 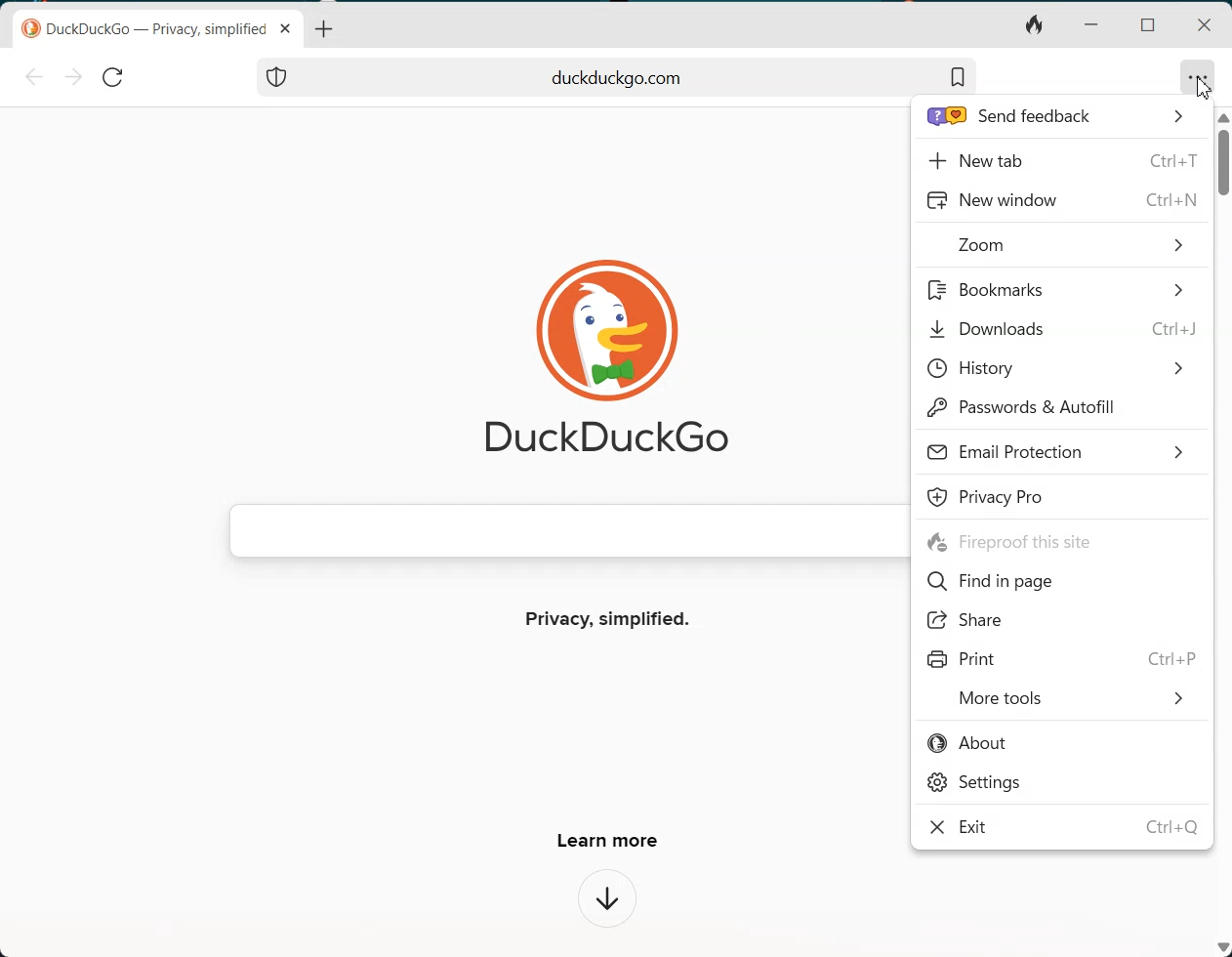 What do you see at coordinates (1063, 659) in the screenshot?
I see `Print` at bounding box center [1063, 659].